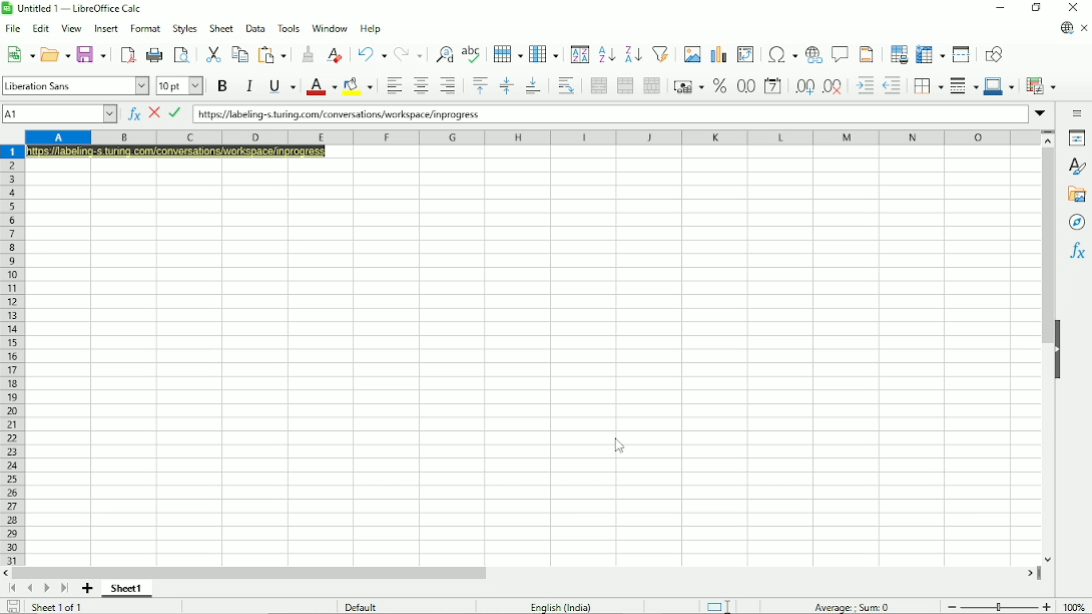  Describe the element at coordinates (898, 53) in the screenshot. I see `Define print area` at that location.